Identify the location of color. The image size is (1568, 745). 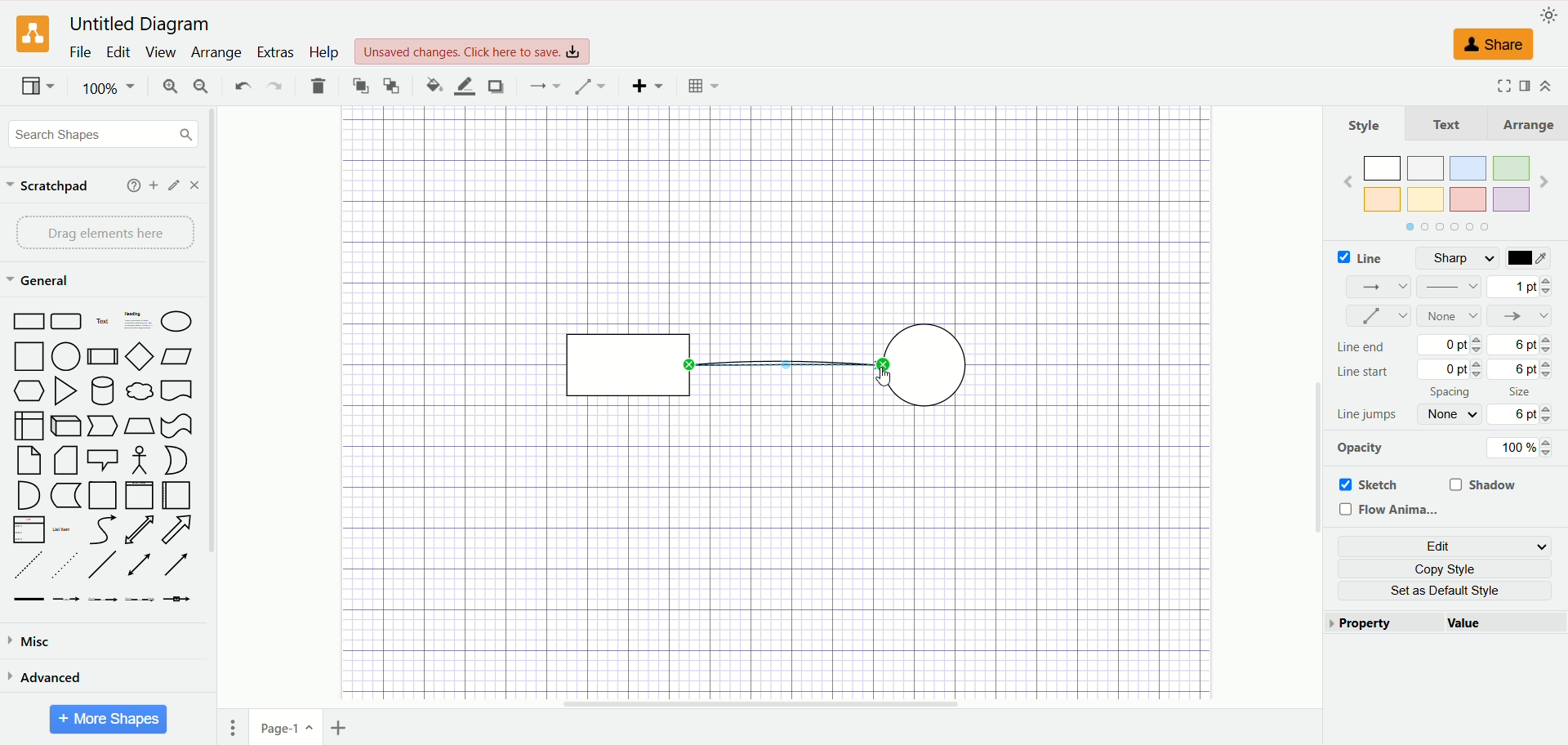
(1528, 261).